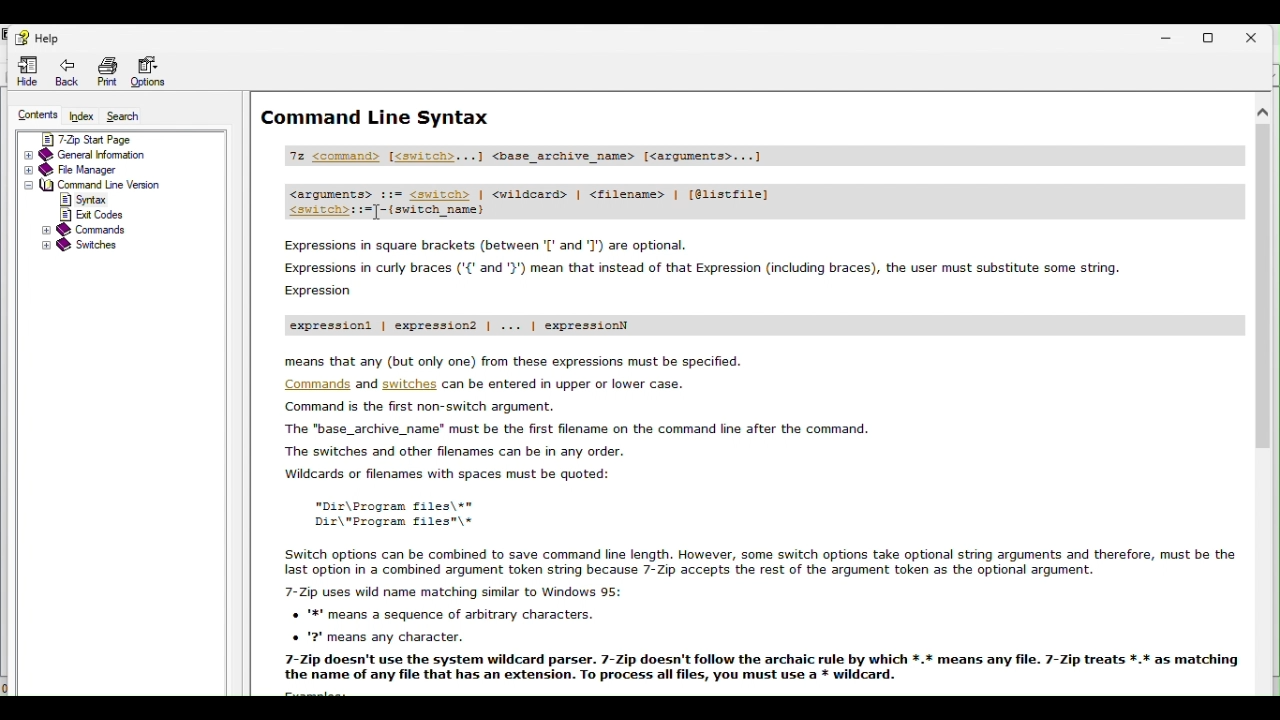 This screenshot has height=720, width=1280. Describe the element at coordinates (103, 70) in the screenshot. I see `Print` at that location.